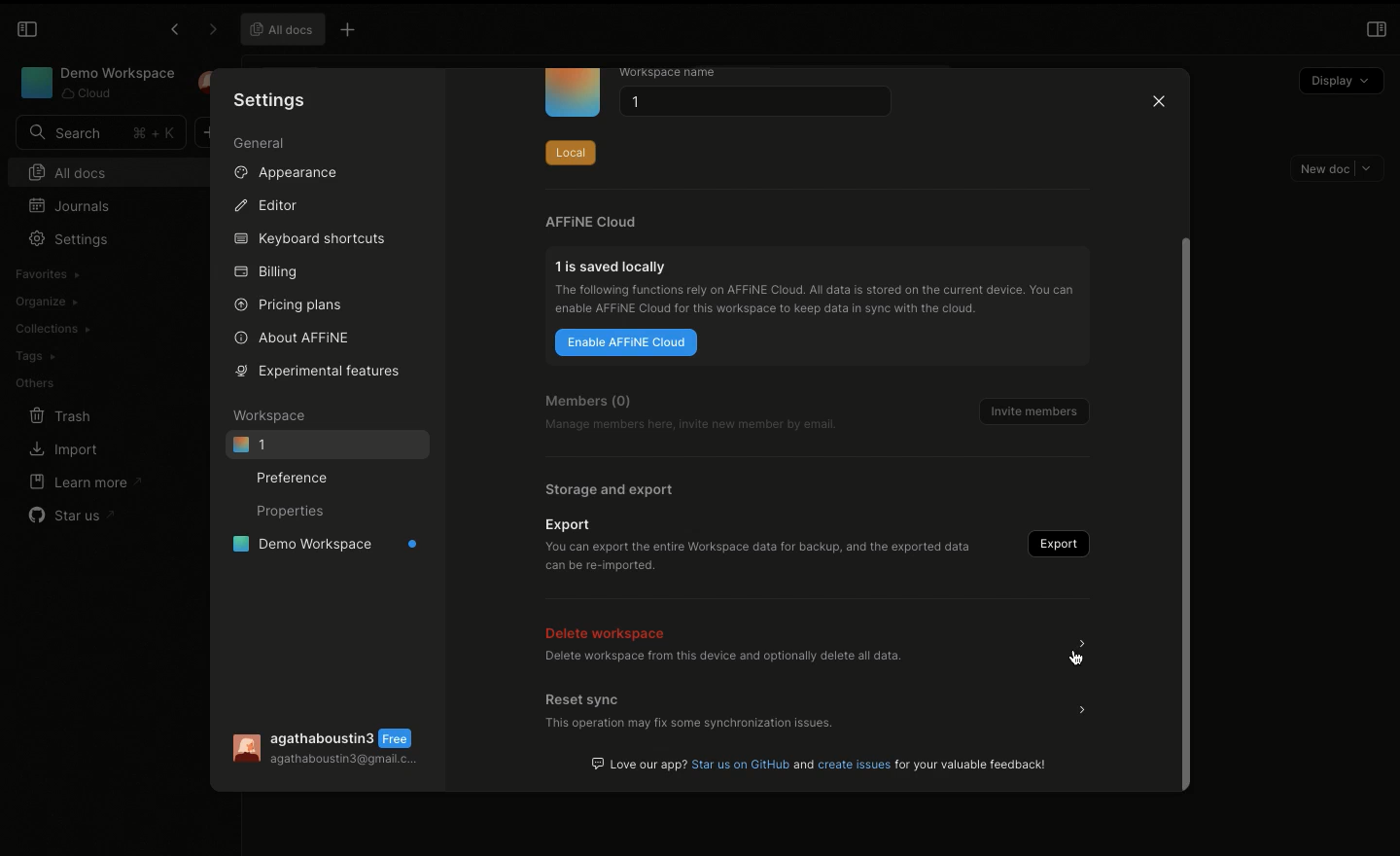 Image resolution: width=1400 pixels, height=856 pixels. Describe the element at coordinates (1027, 407) in the screenshot. I see `Invite members` at that location.